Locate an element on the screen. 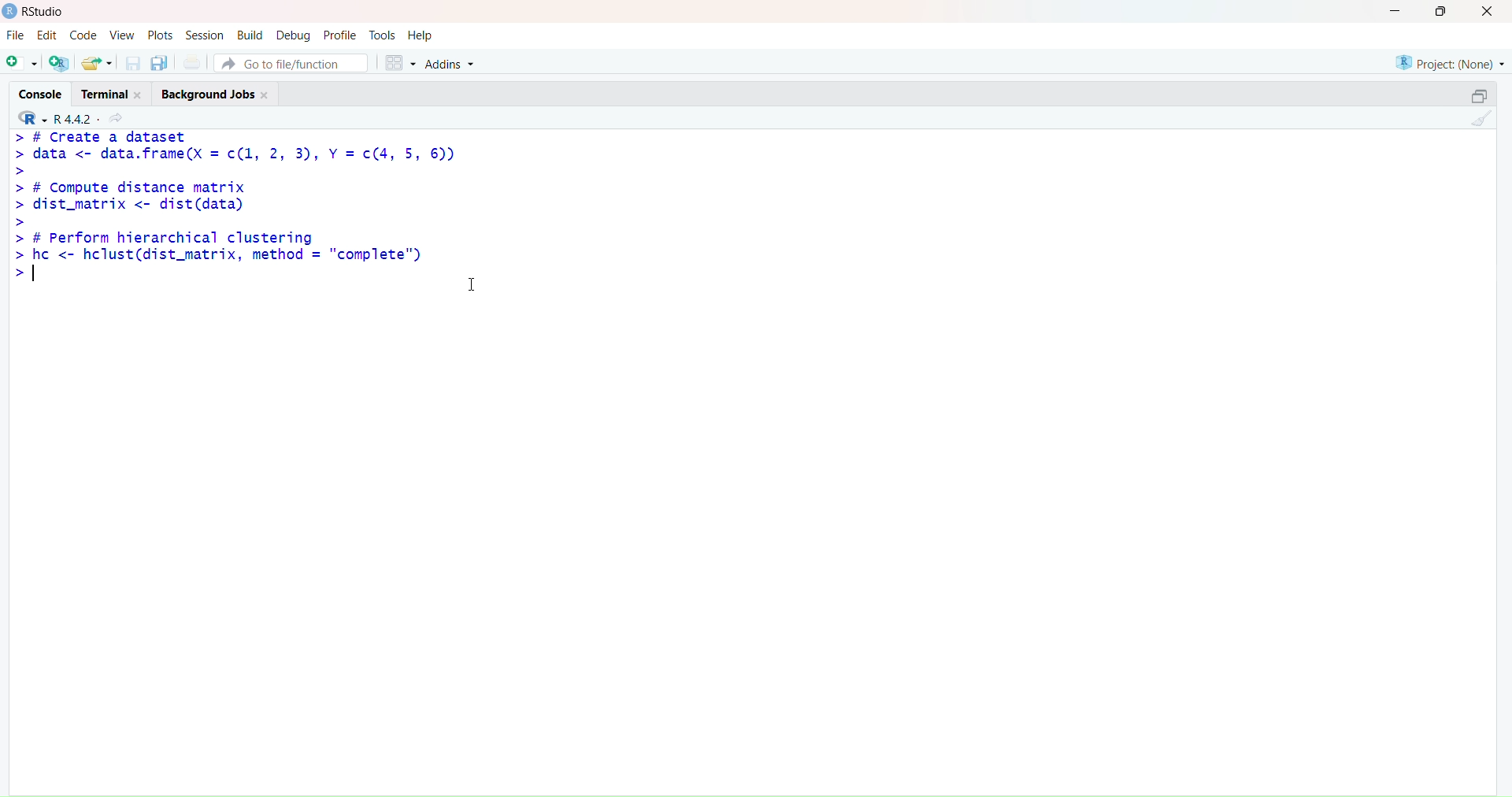  Tools is located at coordinates (380, 36).